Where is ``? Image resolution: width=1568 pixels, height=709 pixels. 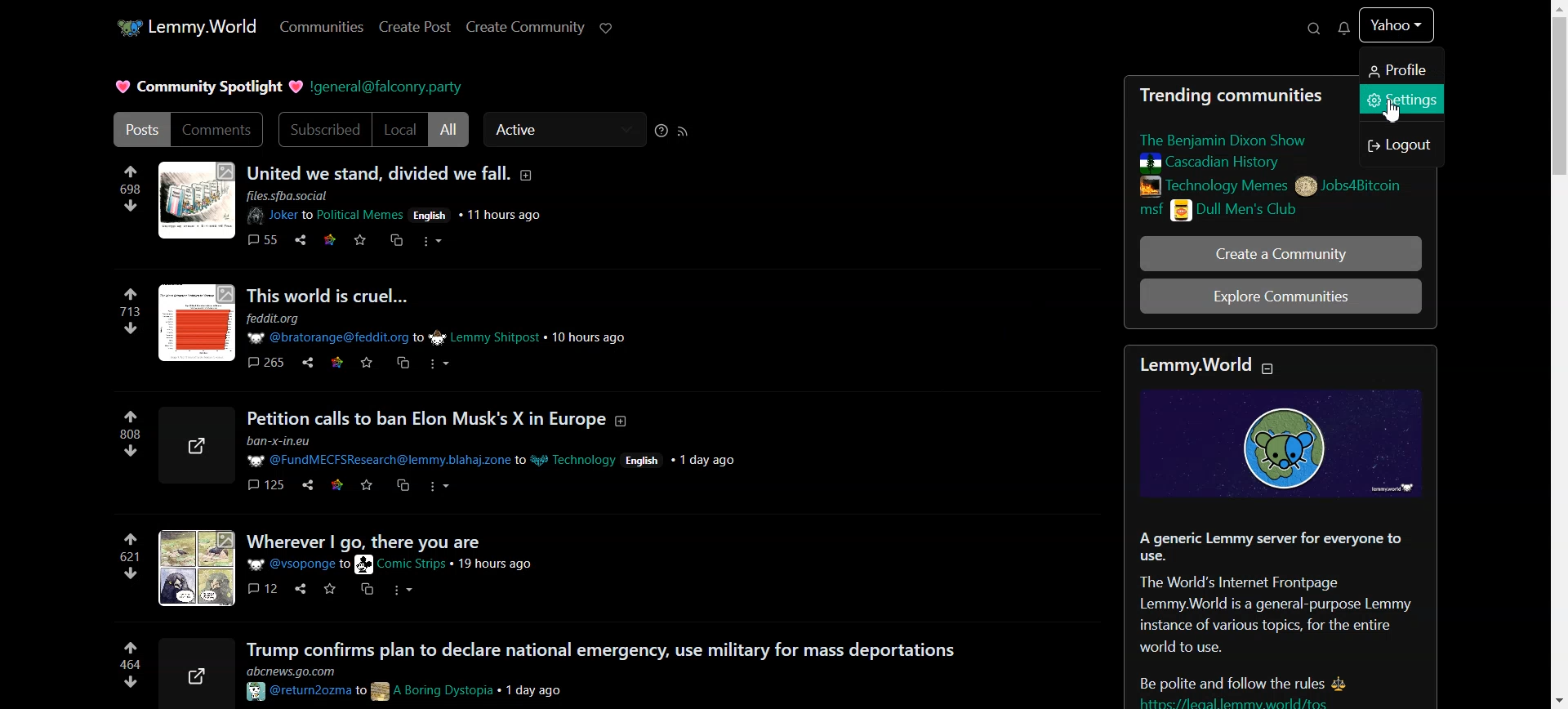
 is located at coordinates (499, 565).